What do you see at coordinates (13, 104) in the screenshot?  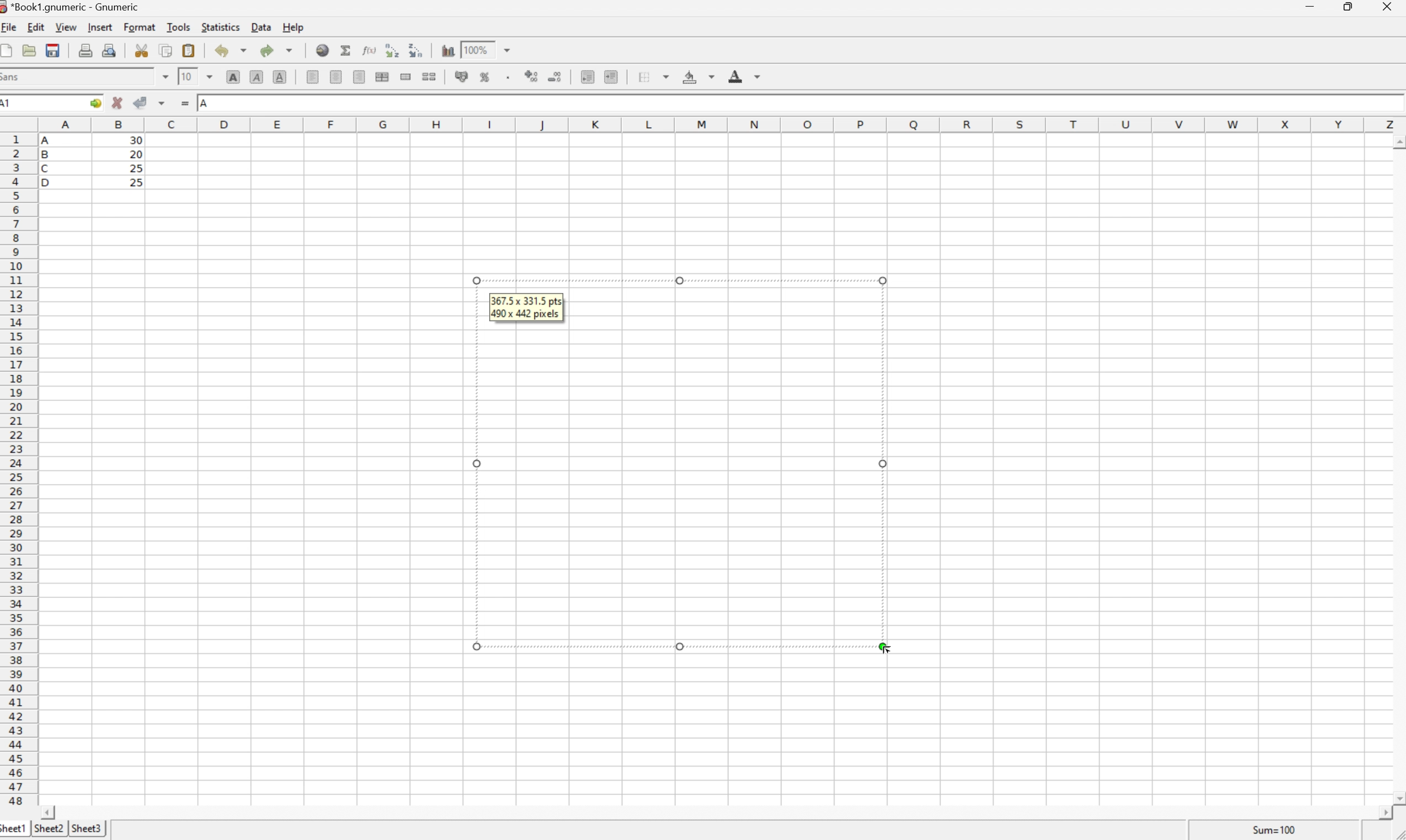 I see `A1` at bounding box center [13, 104].